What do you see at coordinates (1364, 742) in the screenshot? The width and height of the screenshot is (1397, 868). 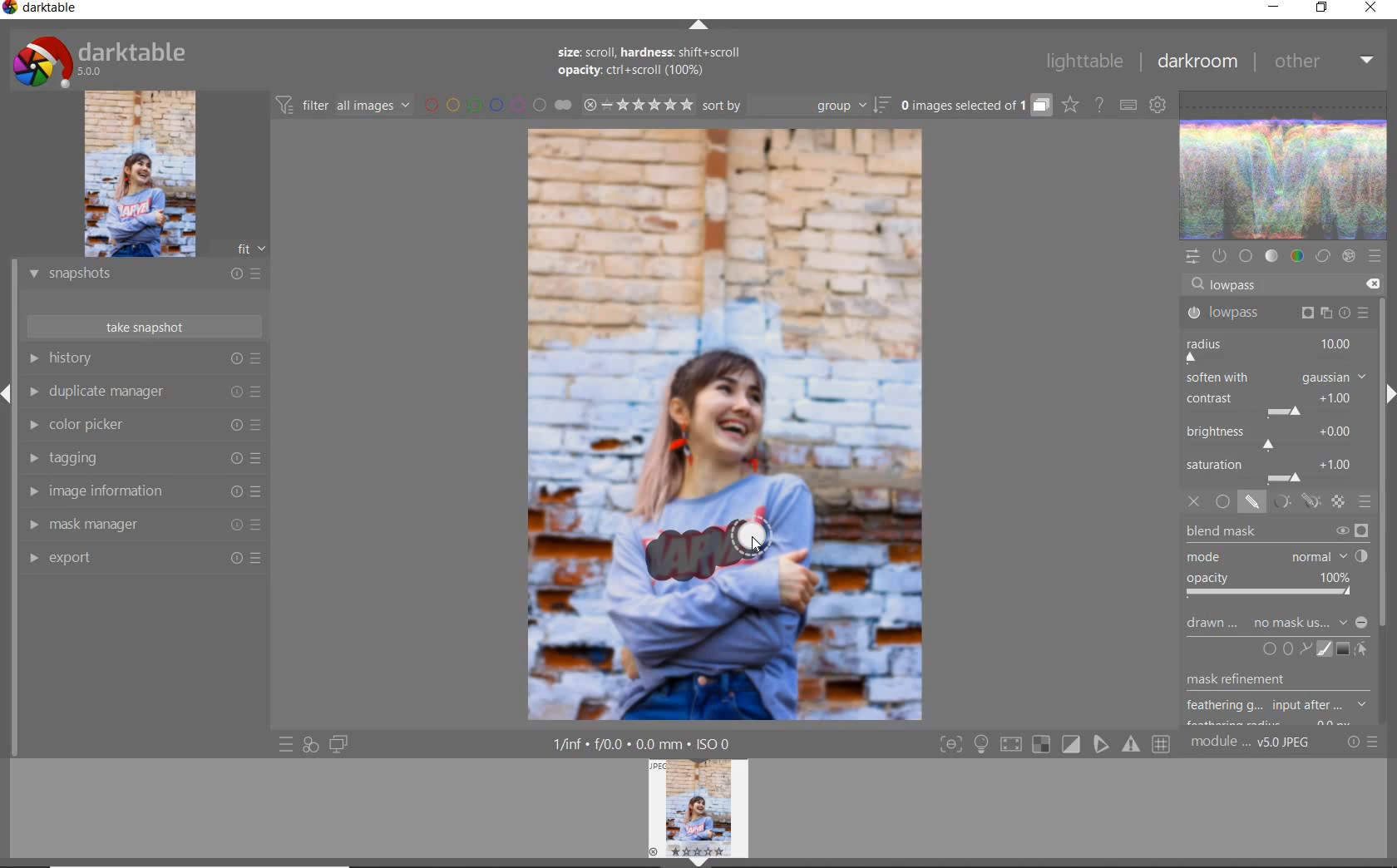 I see `reset or presets and preferences` at bounding box center [1364, 742].